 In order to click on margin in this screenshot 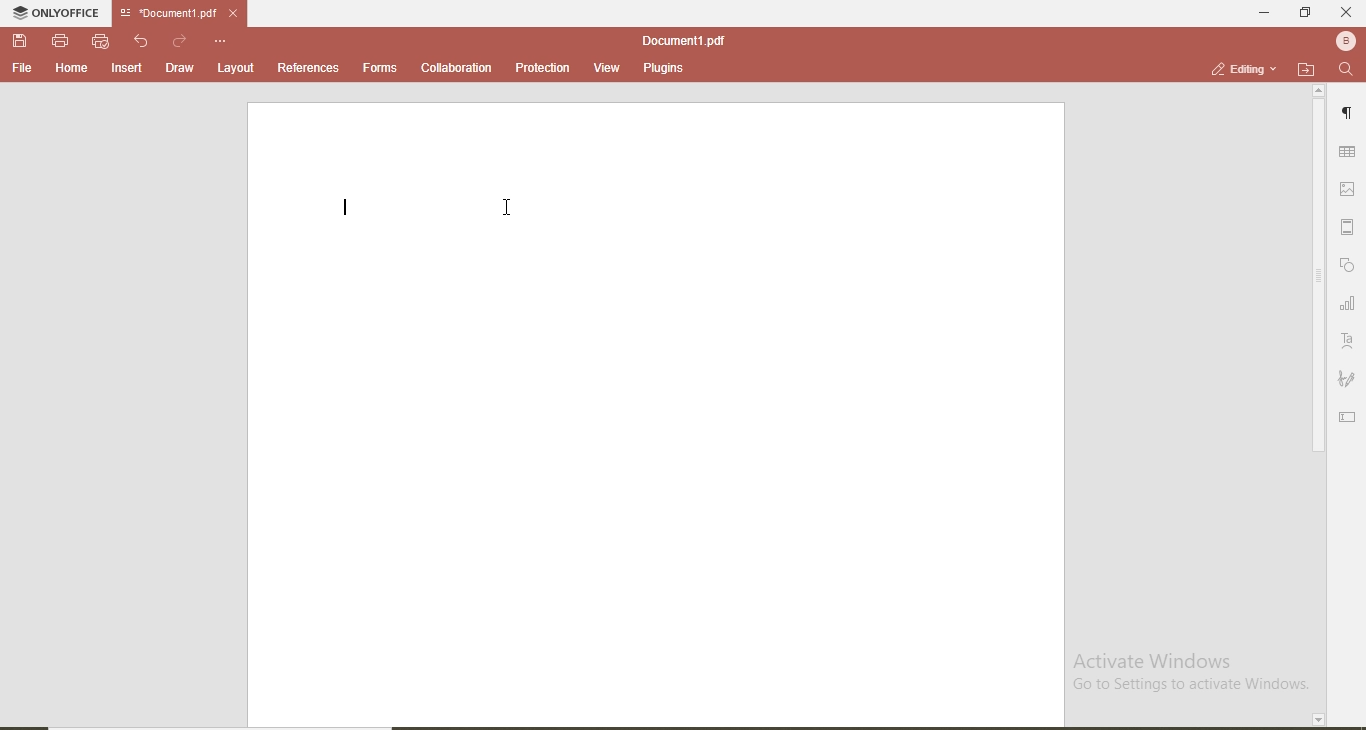, I will do `click(1350, 229)`.